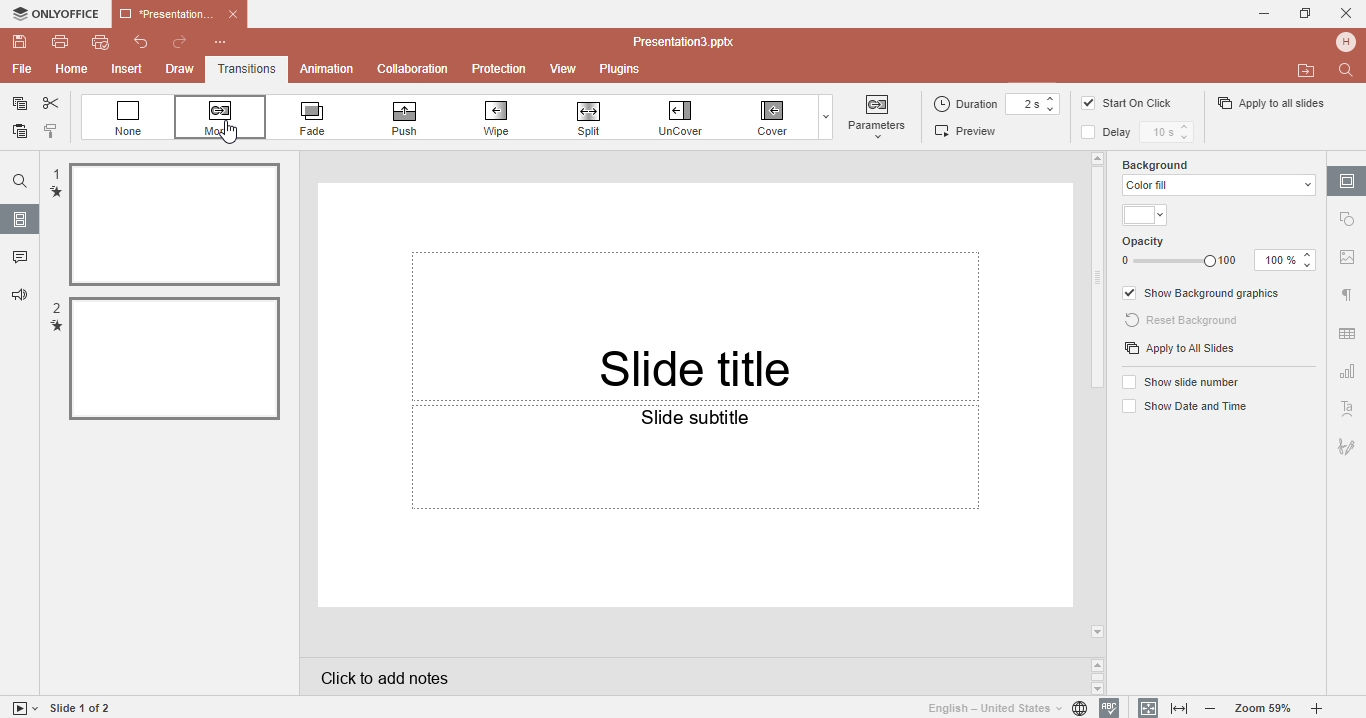 The height and width of the screenshot is (718, 1366). I want to click on Paragraph settings, so click(1346, 295).